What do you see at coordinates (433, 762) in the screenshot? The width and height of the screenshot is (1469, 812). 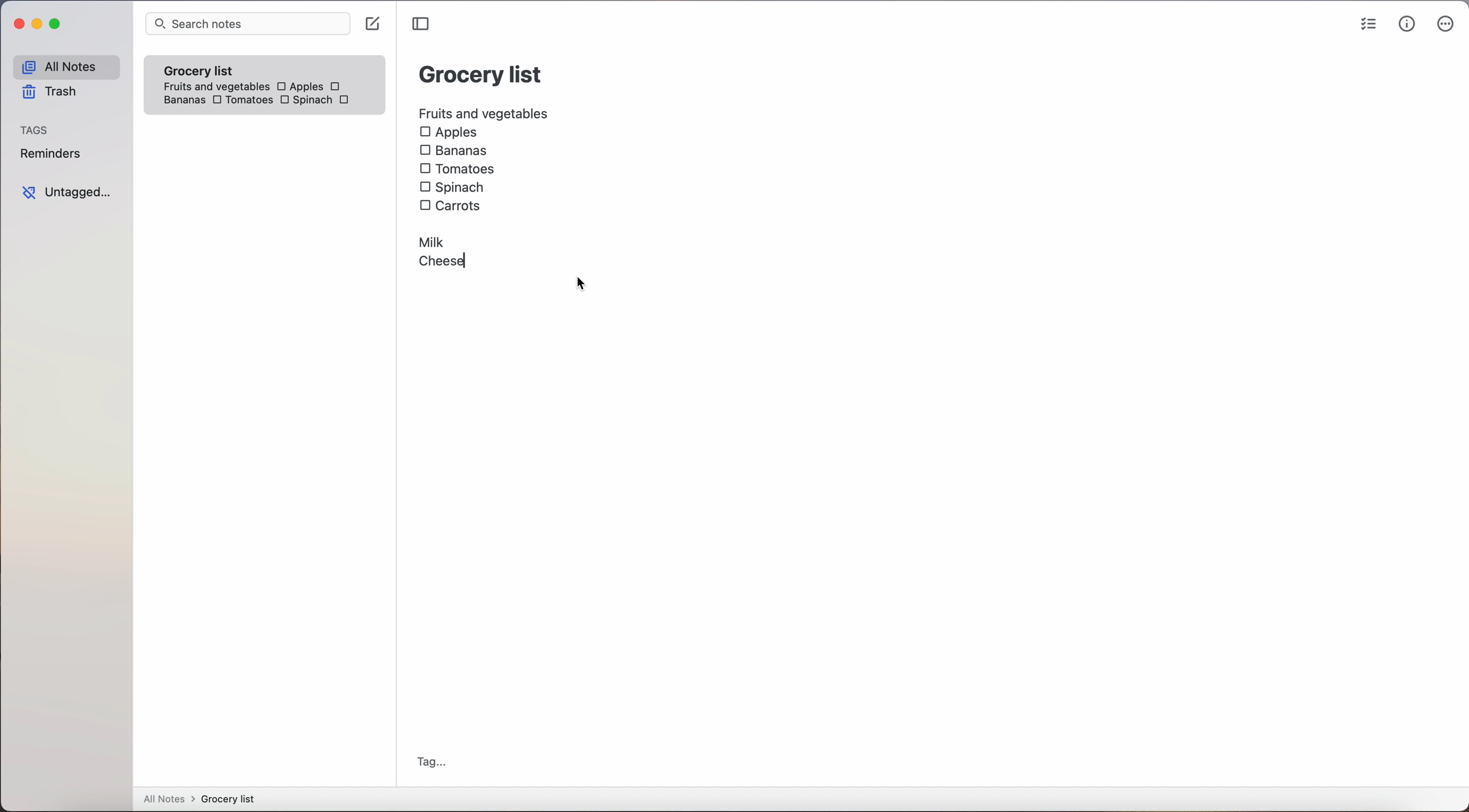 I see `tag` at bounding box center [433, 762].